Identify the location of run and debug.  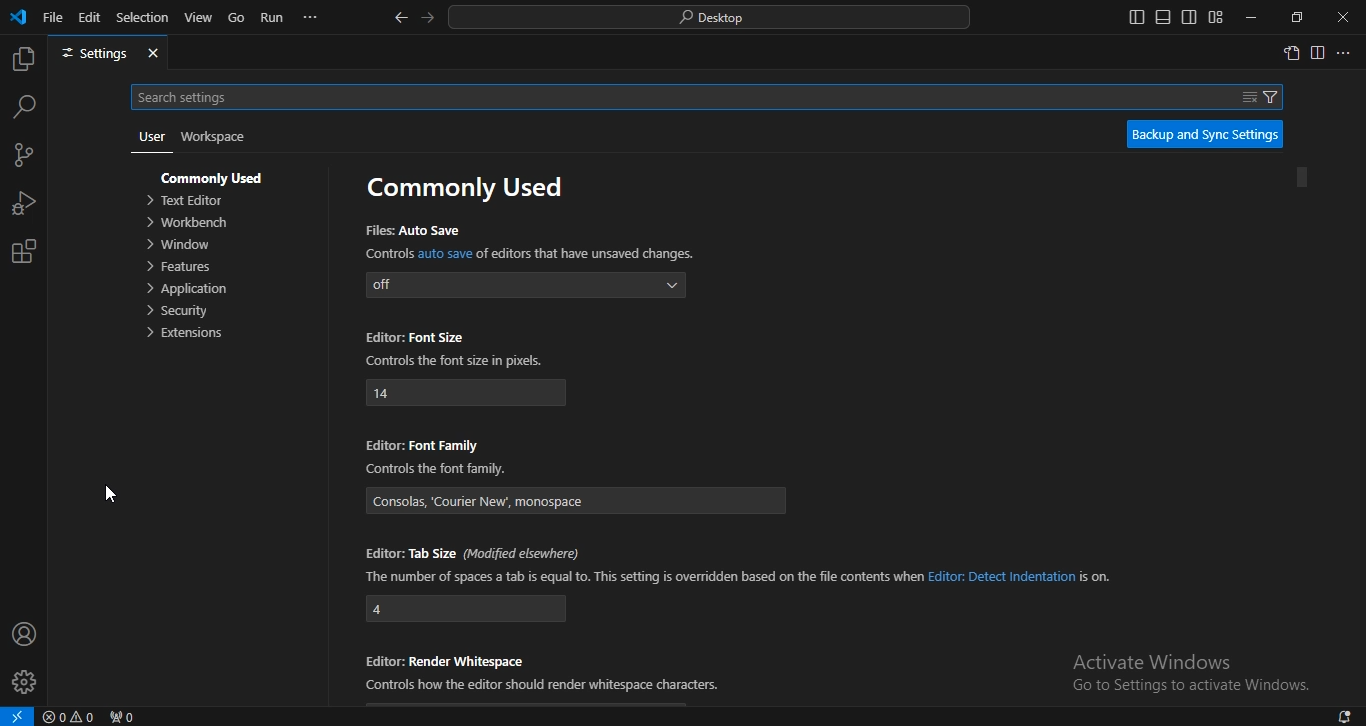
(23, 205).